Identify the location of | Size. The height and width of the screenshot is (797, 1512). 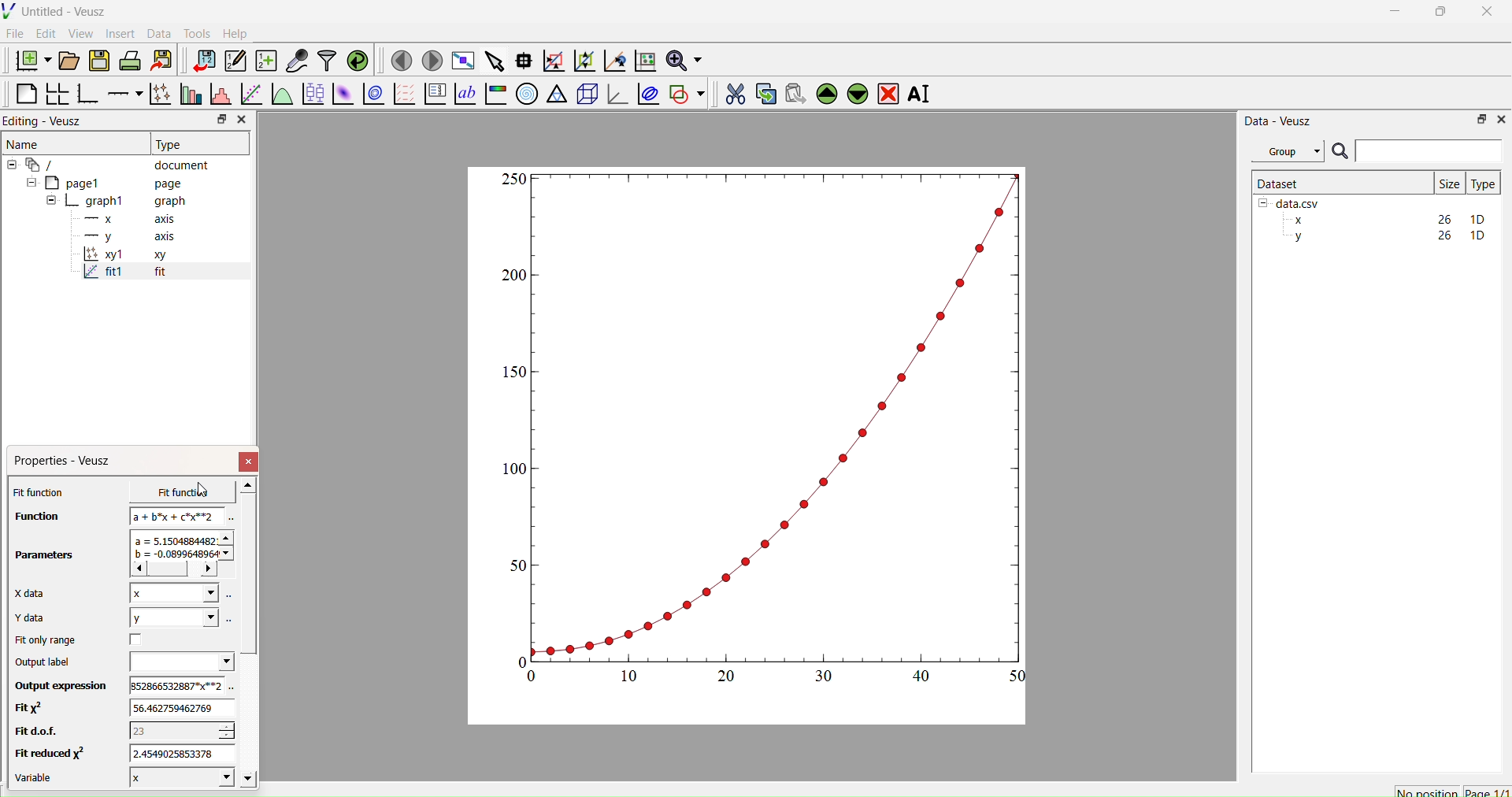
(1449, 182).